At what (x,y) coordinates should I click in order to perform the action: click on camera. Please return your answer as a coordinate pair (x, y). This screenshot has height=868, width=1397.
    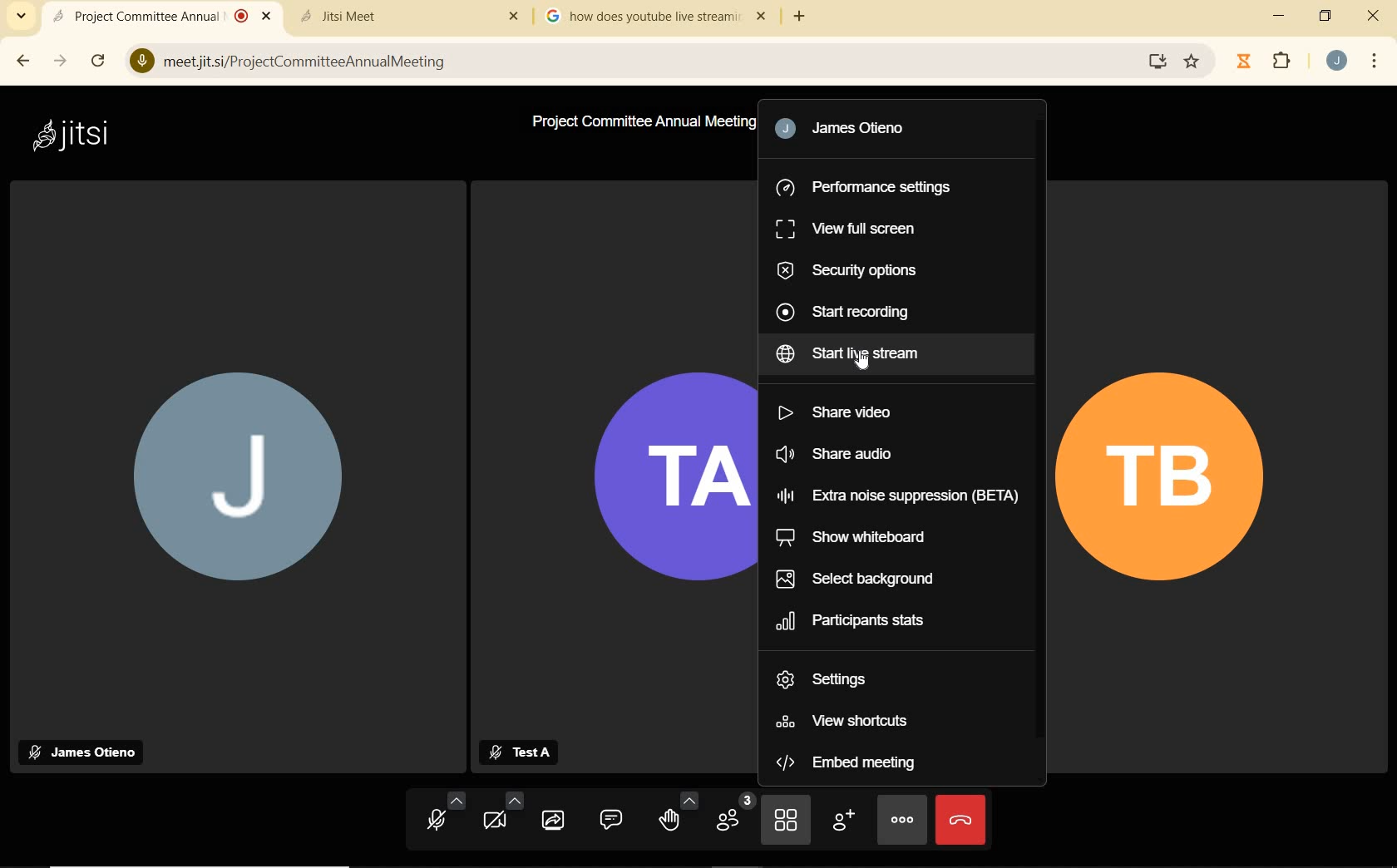
    Looking at the image, I should click on (502, 815).